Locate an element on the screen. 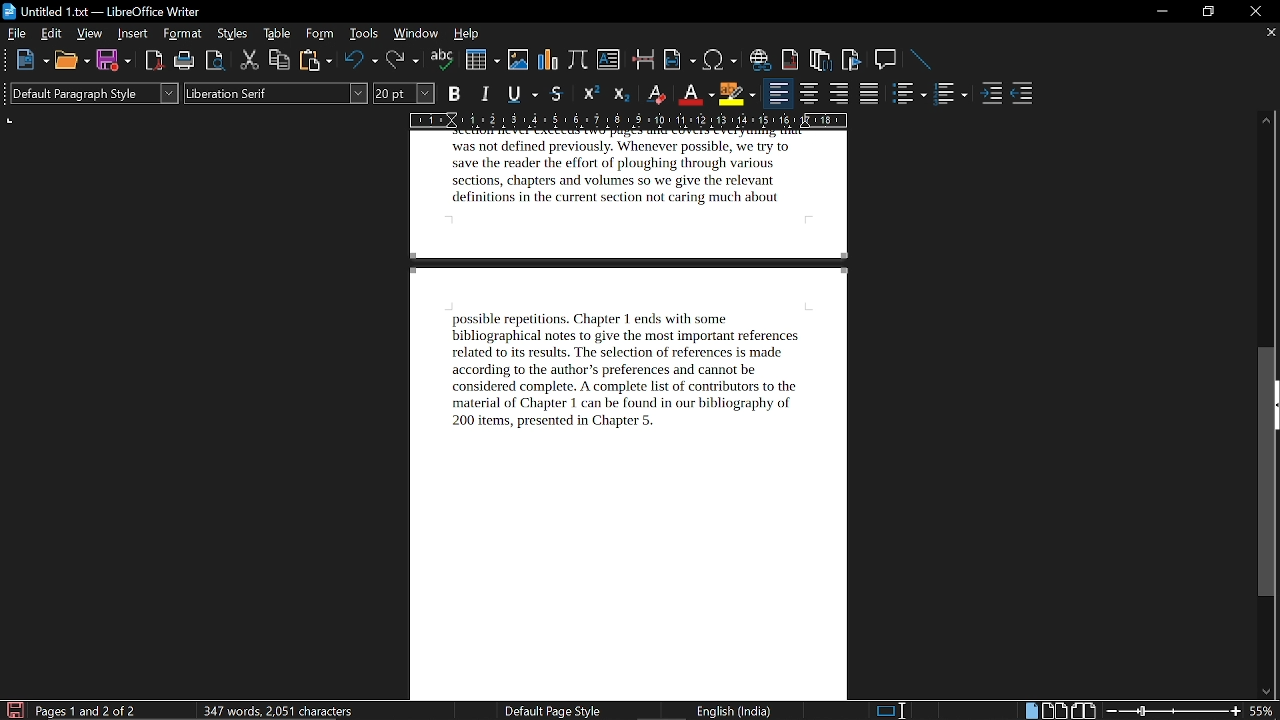 The width and height of the screenshot is (1280, 720). new is located at coordinates (31, 61).